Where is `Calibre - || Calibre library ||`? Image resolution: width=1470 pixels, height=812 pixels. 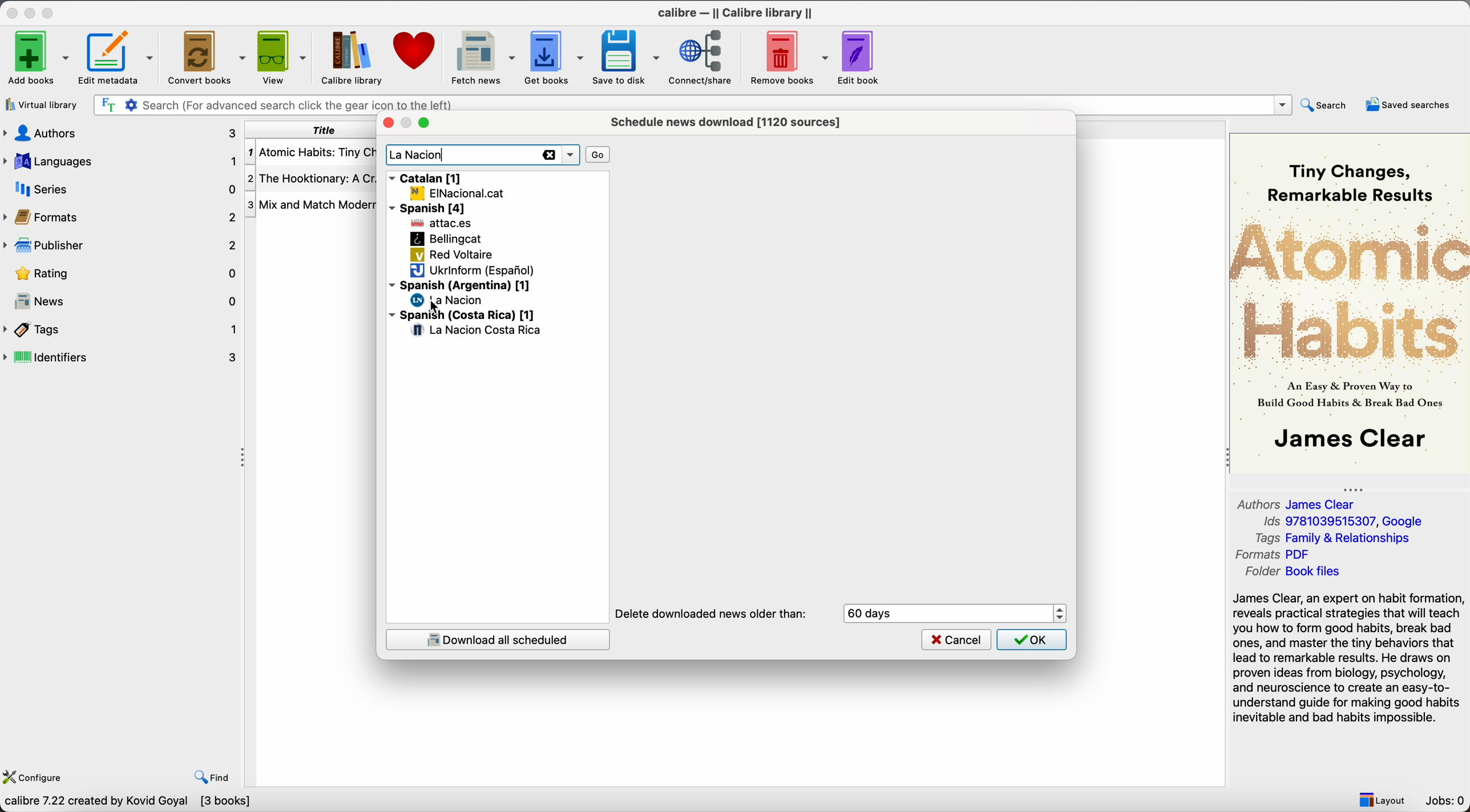
Calibre - || Calibre library || is located at coordinates (738, 12).